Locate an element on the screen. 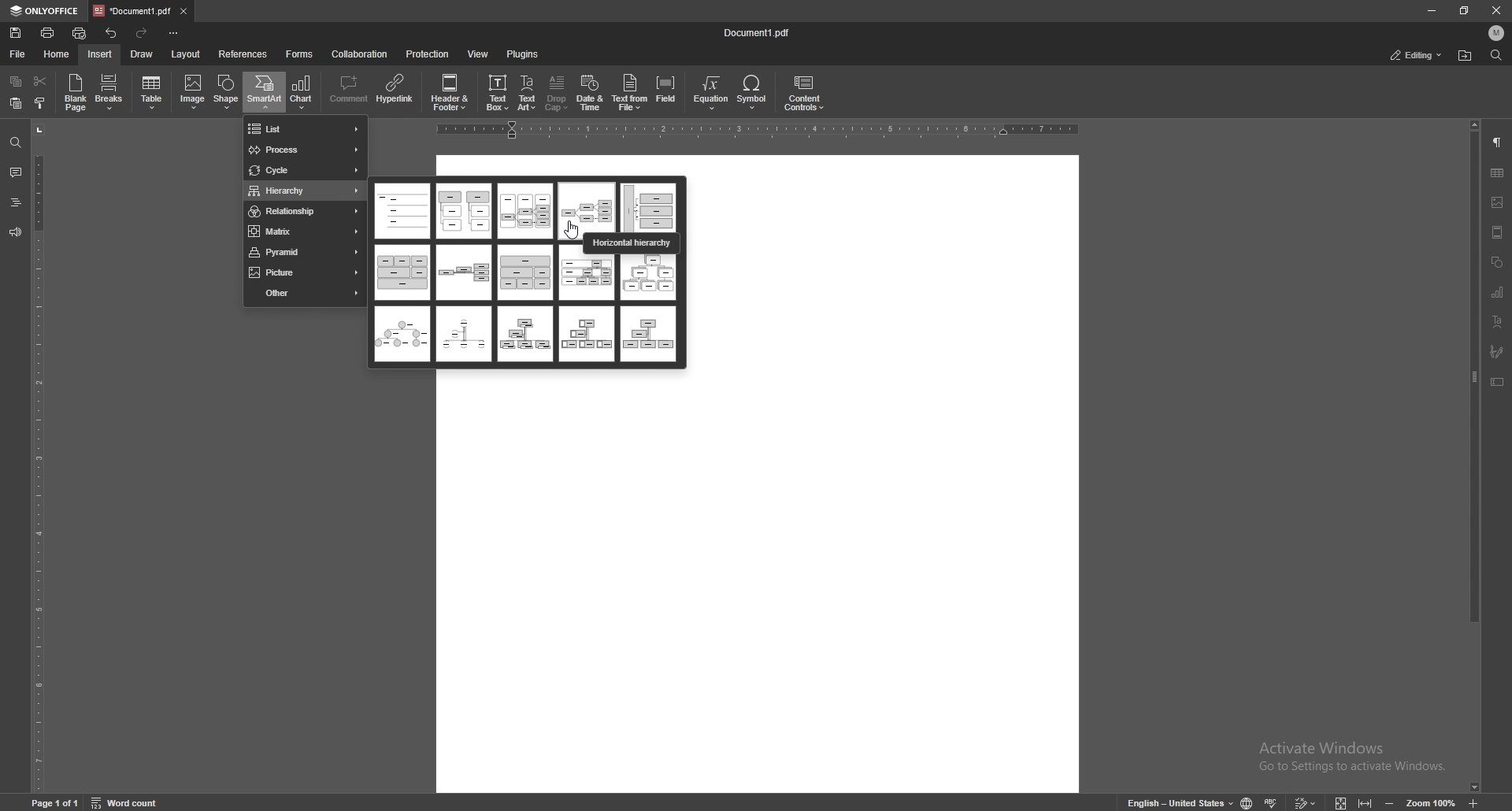 The width and height of the screenshot is (1512, 811). hierarchy smart art is located at coordinates (403, 211).